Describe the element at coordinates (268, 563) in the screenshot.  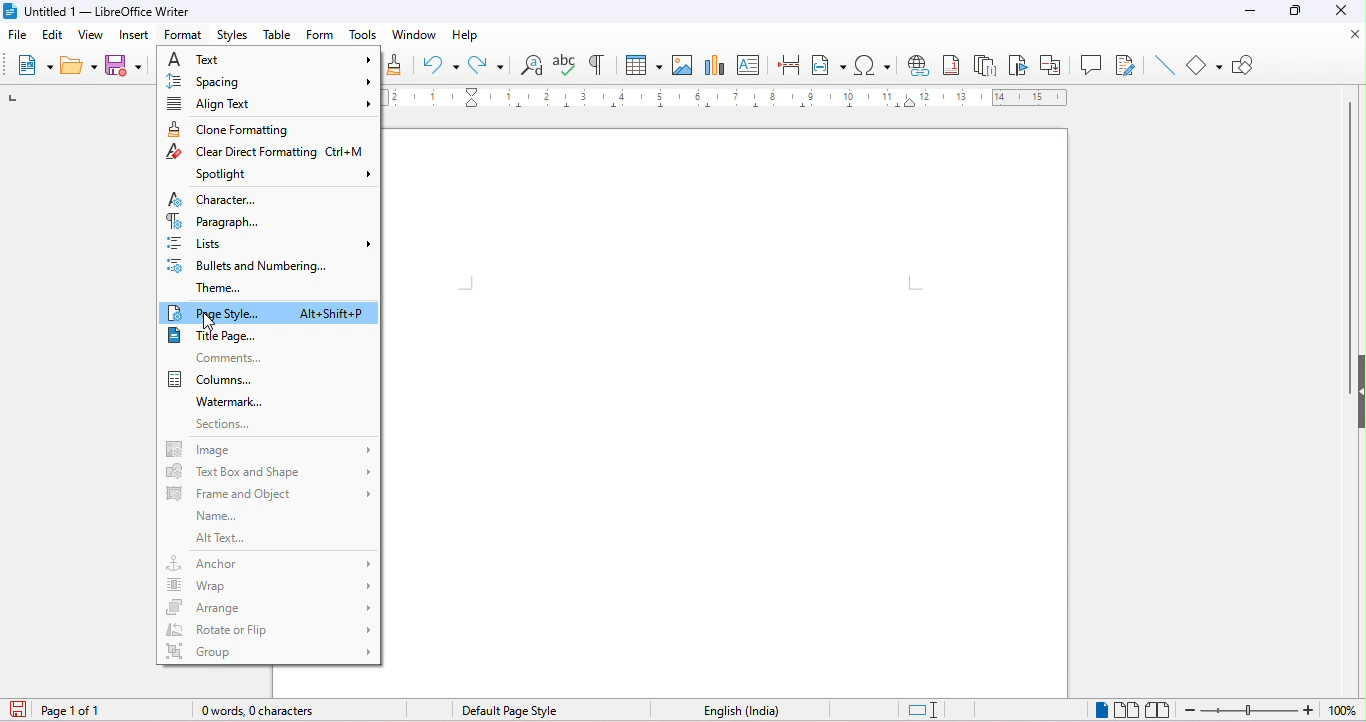
I see `anchor` at that location.